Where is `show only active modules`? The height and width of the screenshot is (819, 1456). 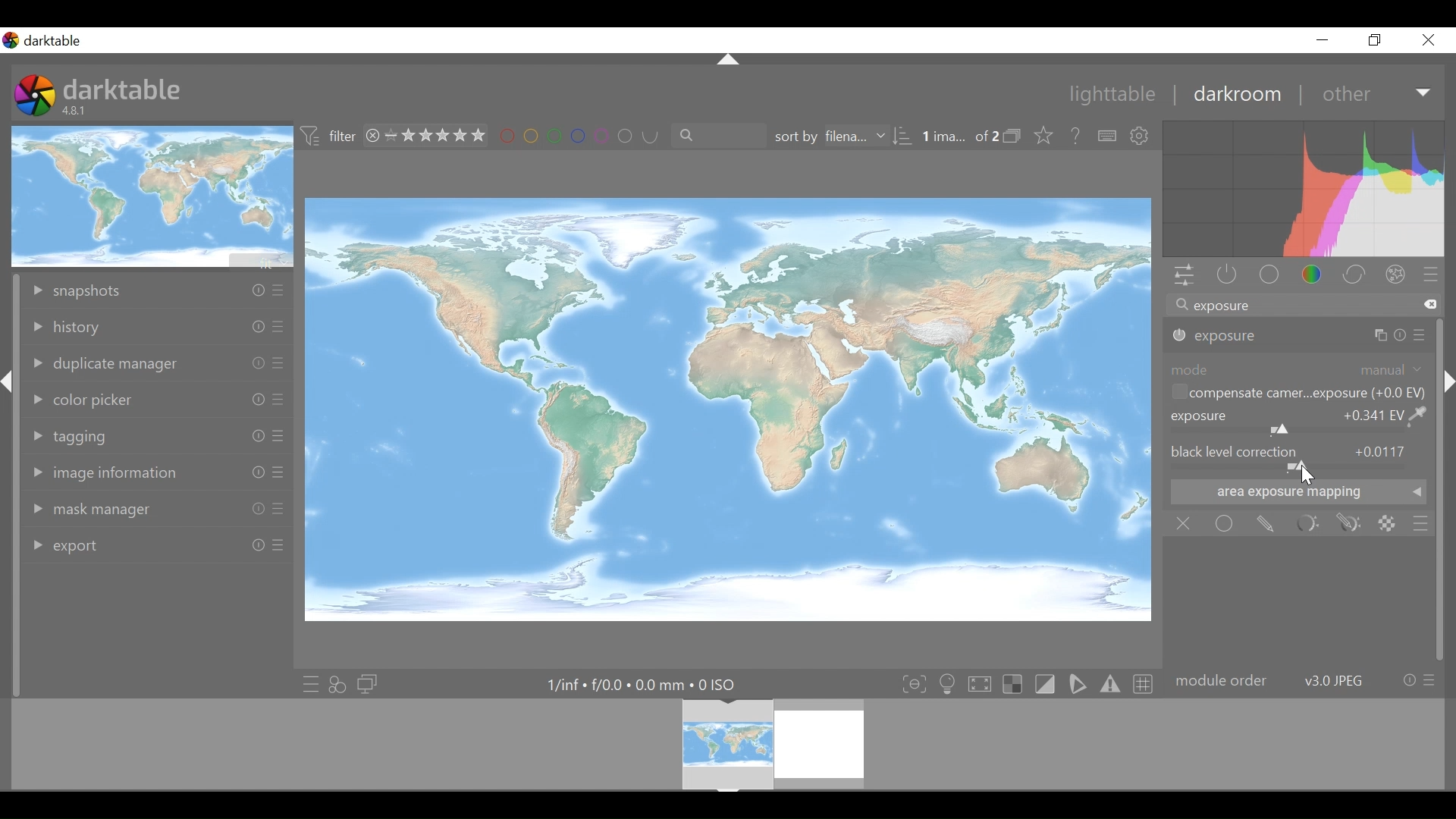 show only active modules is located at coordinates (1227, 275).